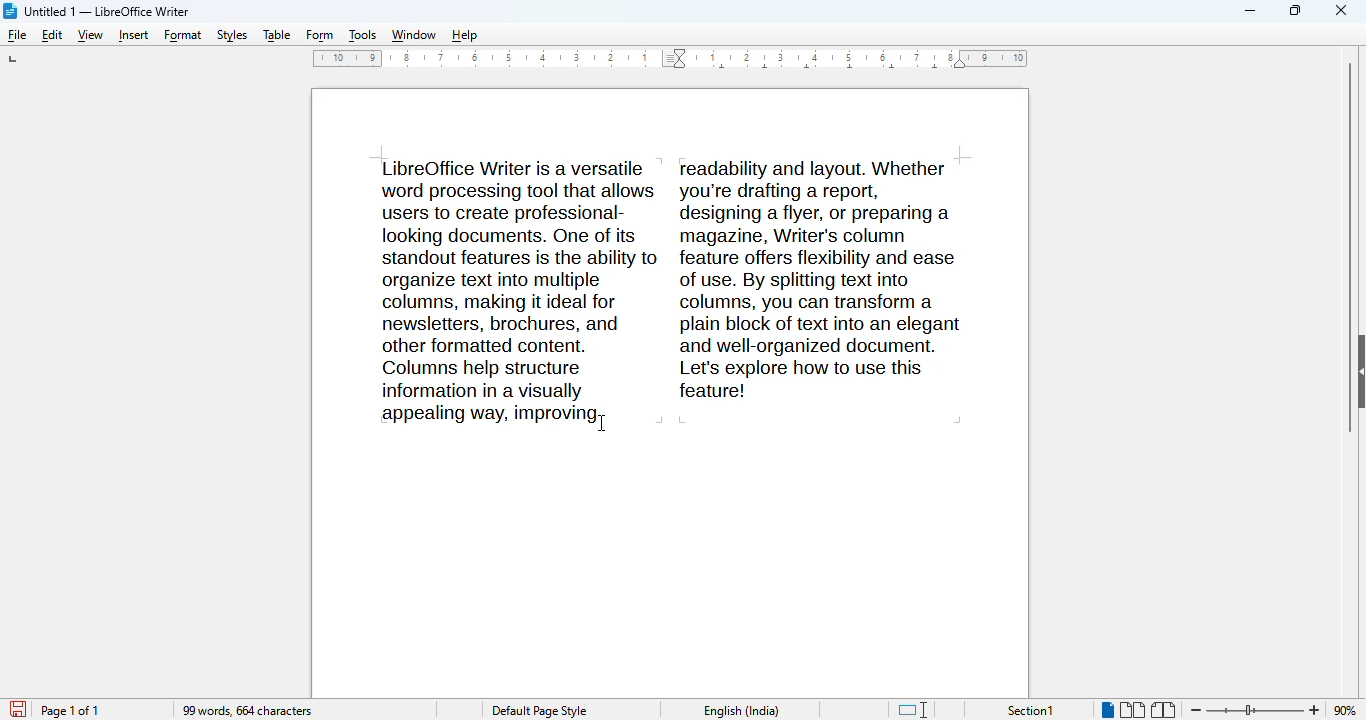 This screenshot has height=720, width=1366. Describe the element at coordinates (16, 35) in the screenshot. I see `file` at that location.